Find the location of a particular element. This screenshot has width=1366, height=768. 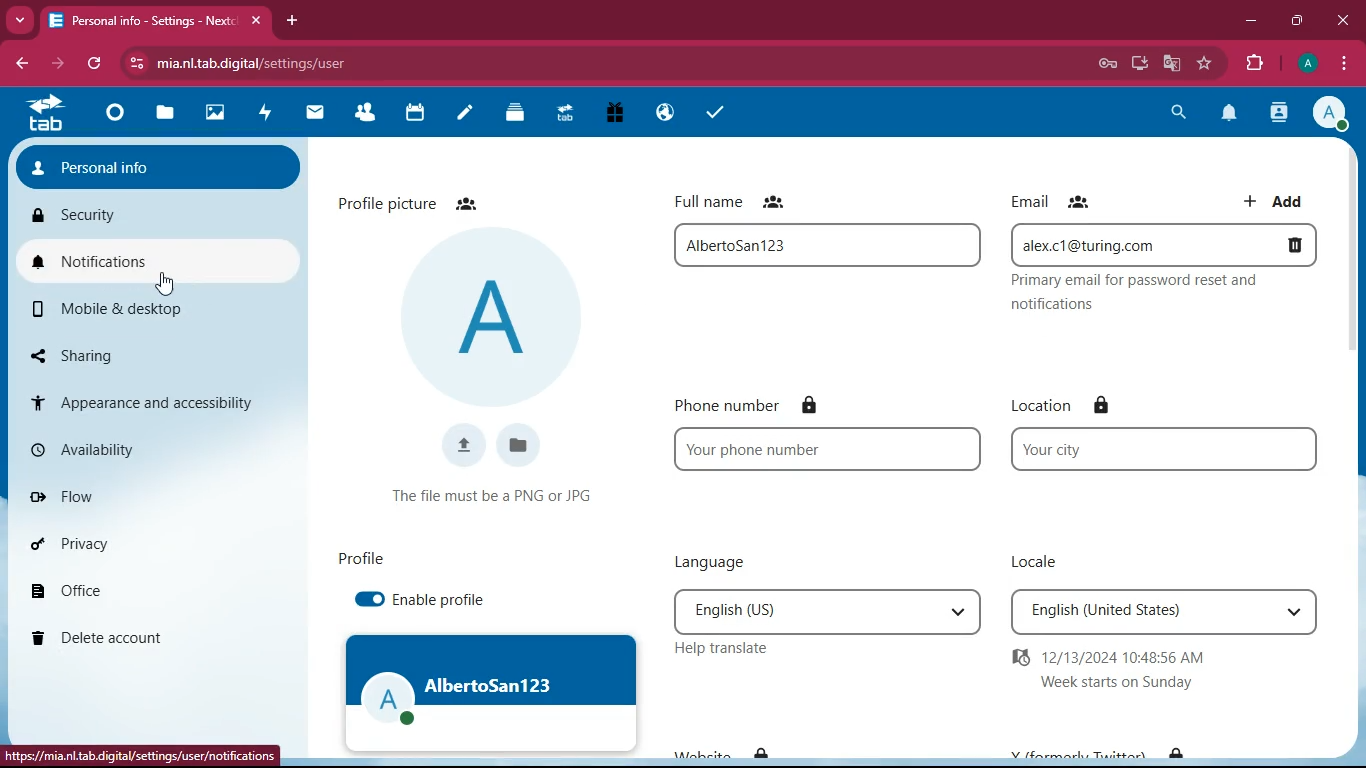

password is located at coordinates (1105, 63).